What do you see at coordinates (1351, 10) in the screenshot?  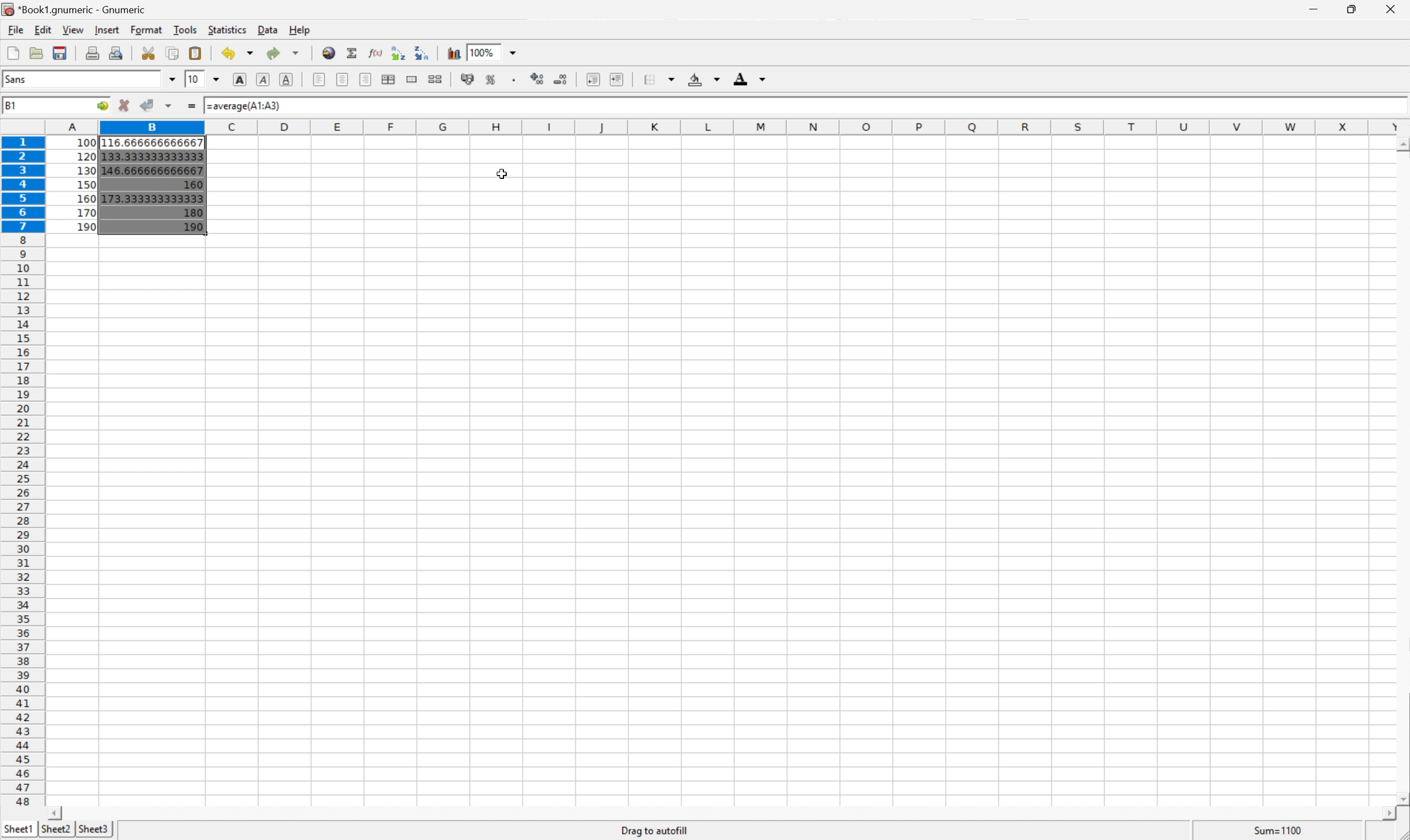 I see `Restore Down` at bounding box center [1351, 10].